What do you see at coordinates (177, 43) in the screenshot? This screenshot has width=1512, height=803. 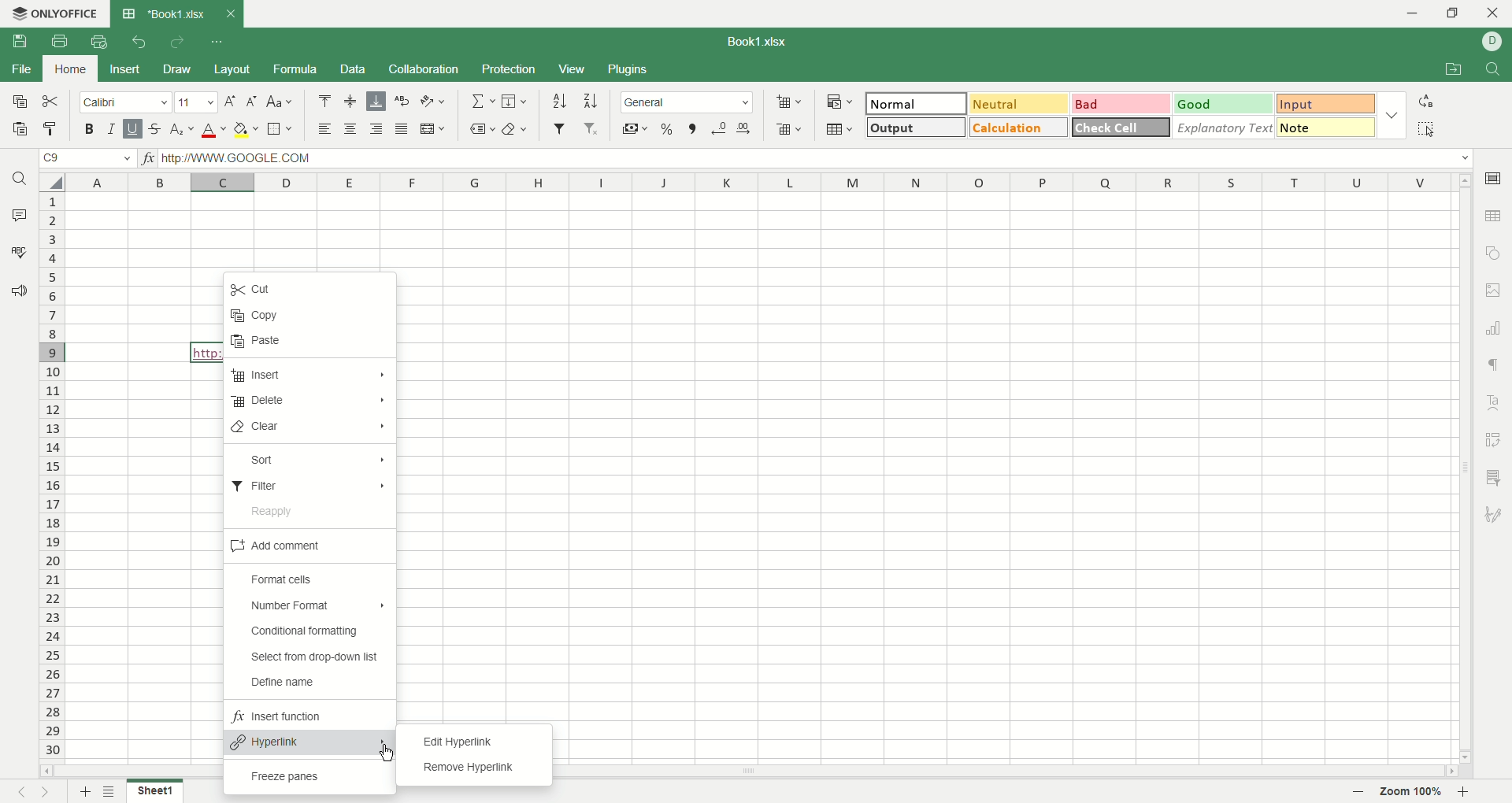 I see `redo` at bounding box center [177, 43].